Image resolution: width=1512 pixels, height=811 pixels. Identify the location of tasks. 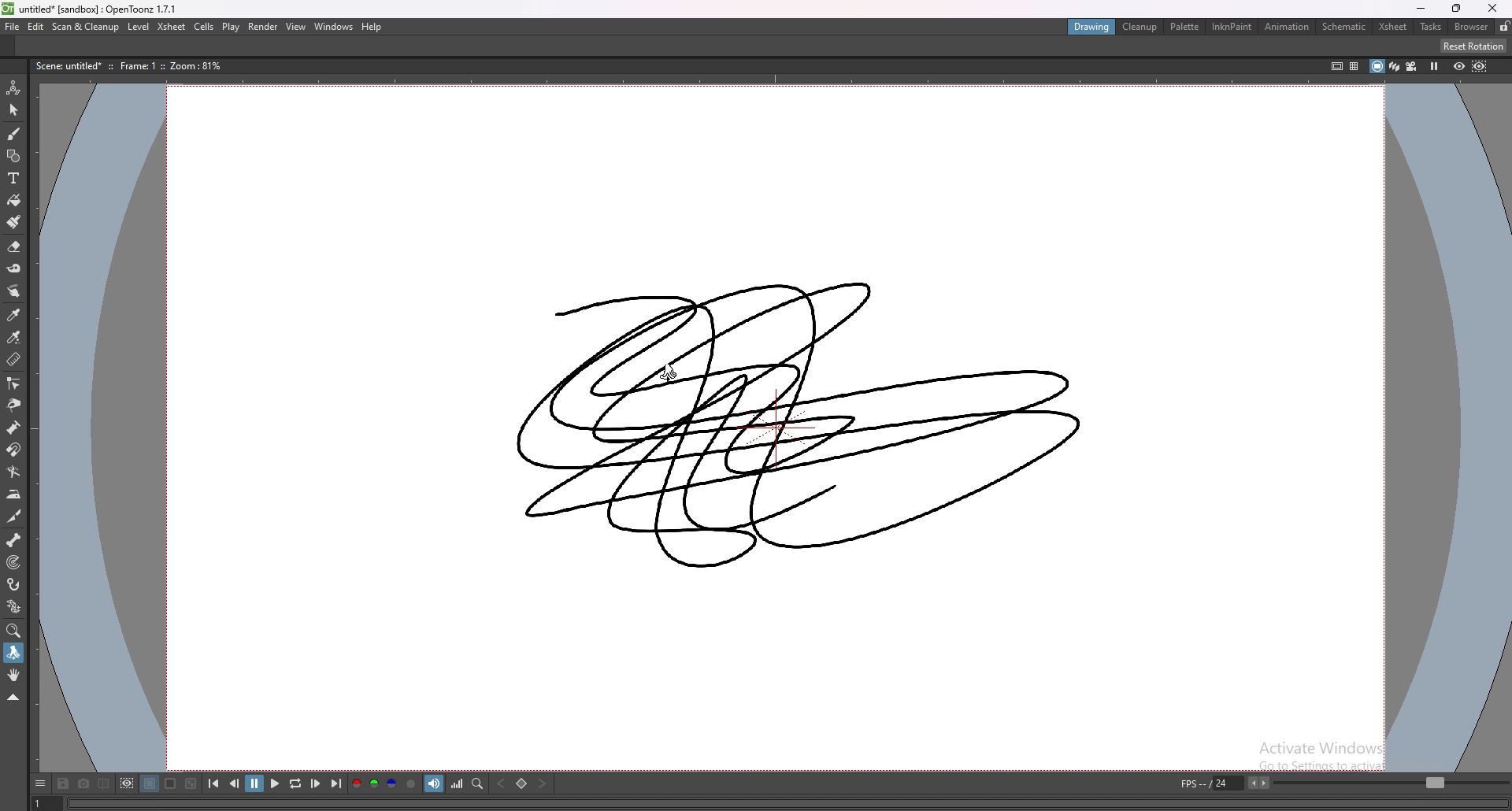
(1430, 27).